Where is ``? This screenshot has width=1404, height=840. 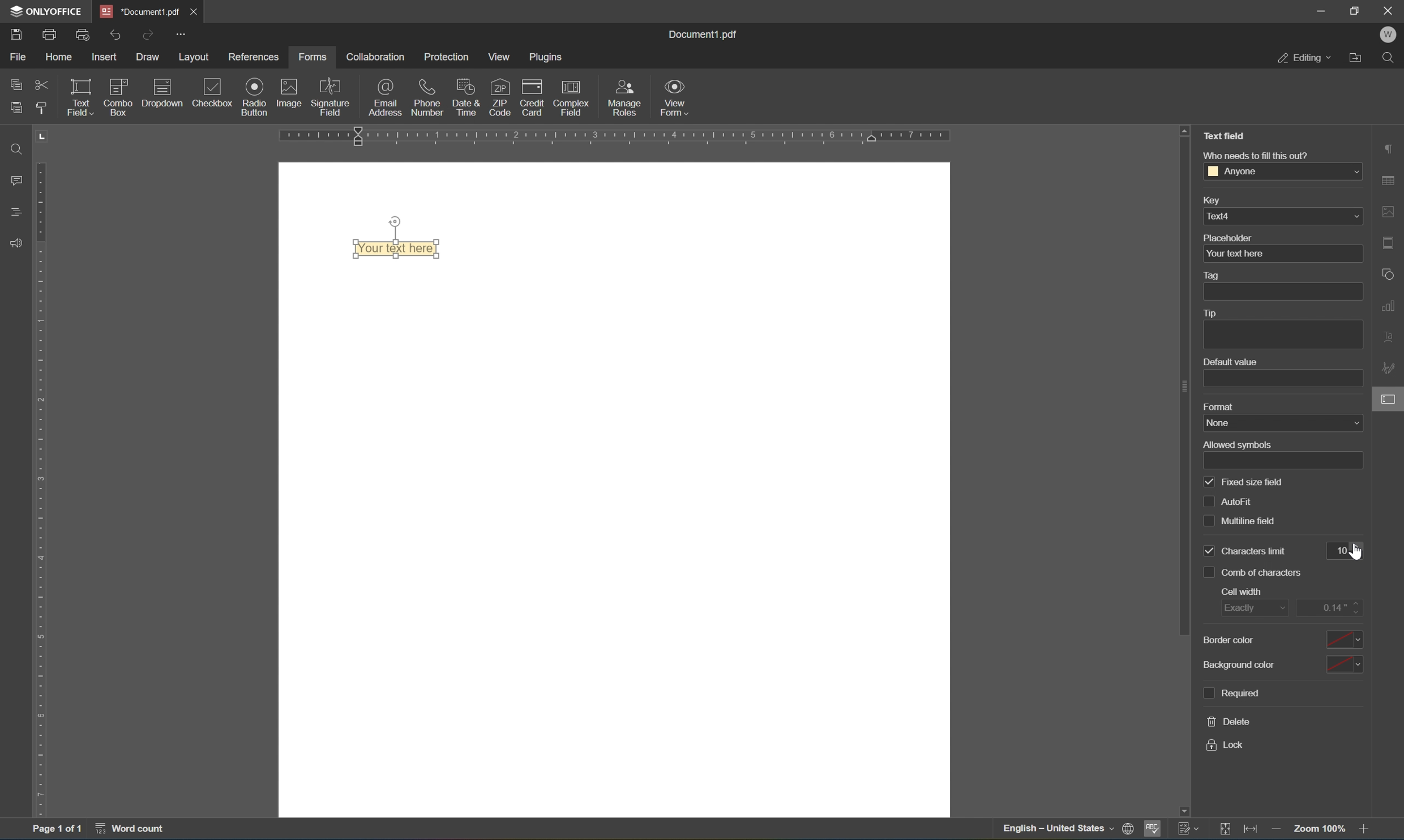
 is located at coordinates (254, 97).